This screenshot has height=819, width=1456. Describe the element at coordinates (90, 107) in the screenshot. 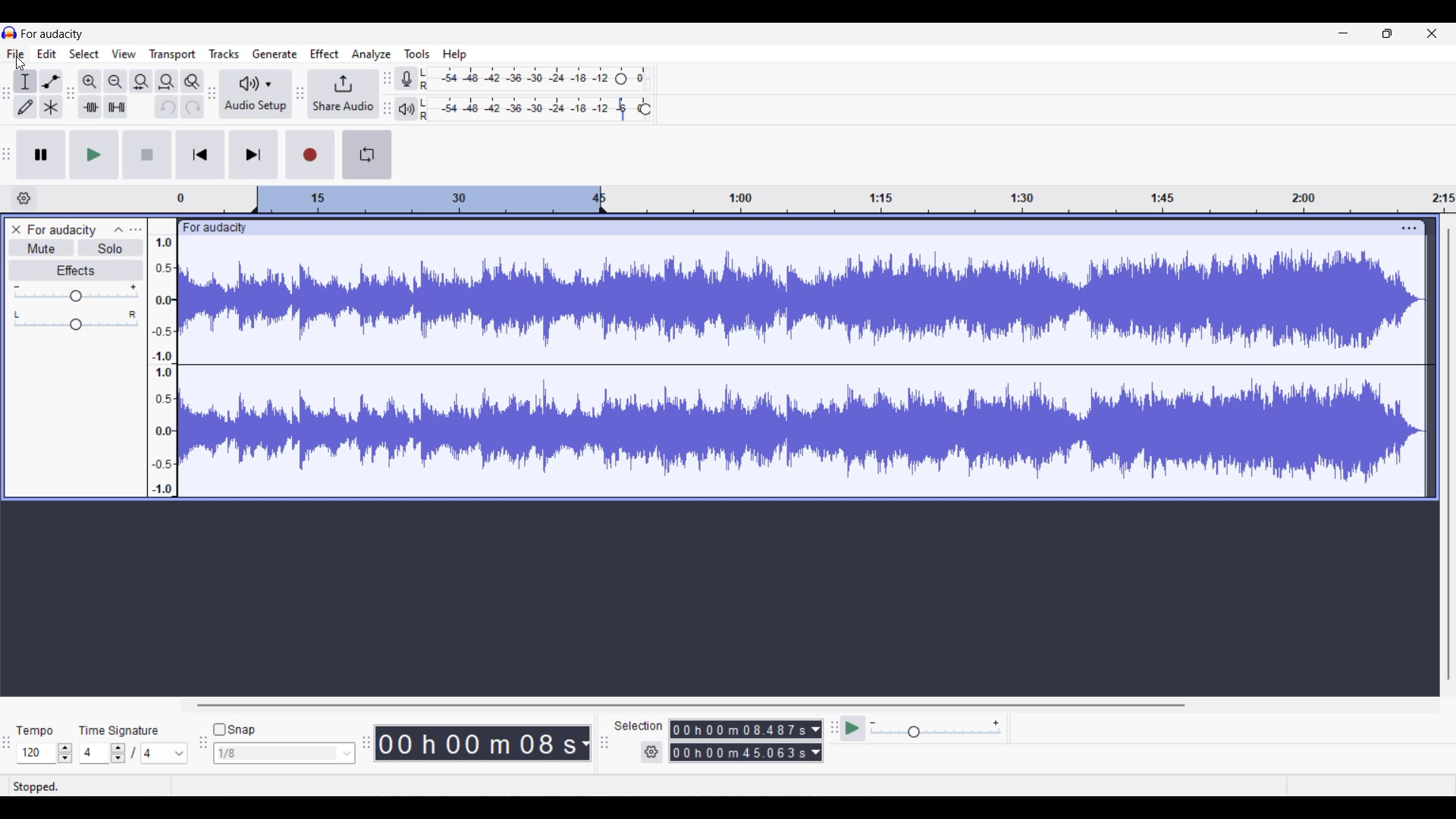

I see `Trim audio outside selection` at that location.